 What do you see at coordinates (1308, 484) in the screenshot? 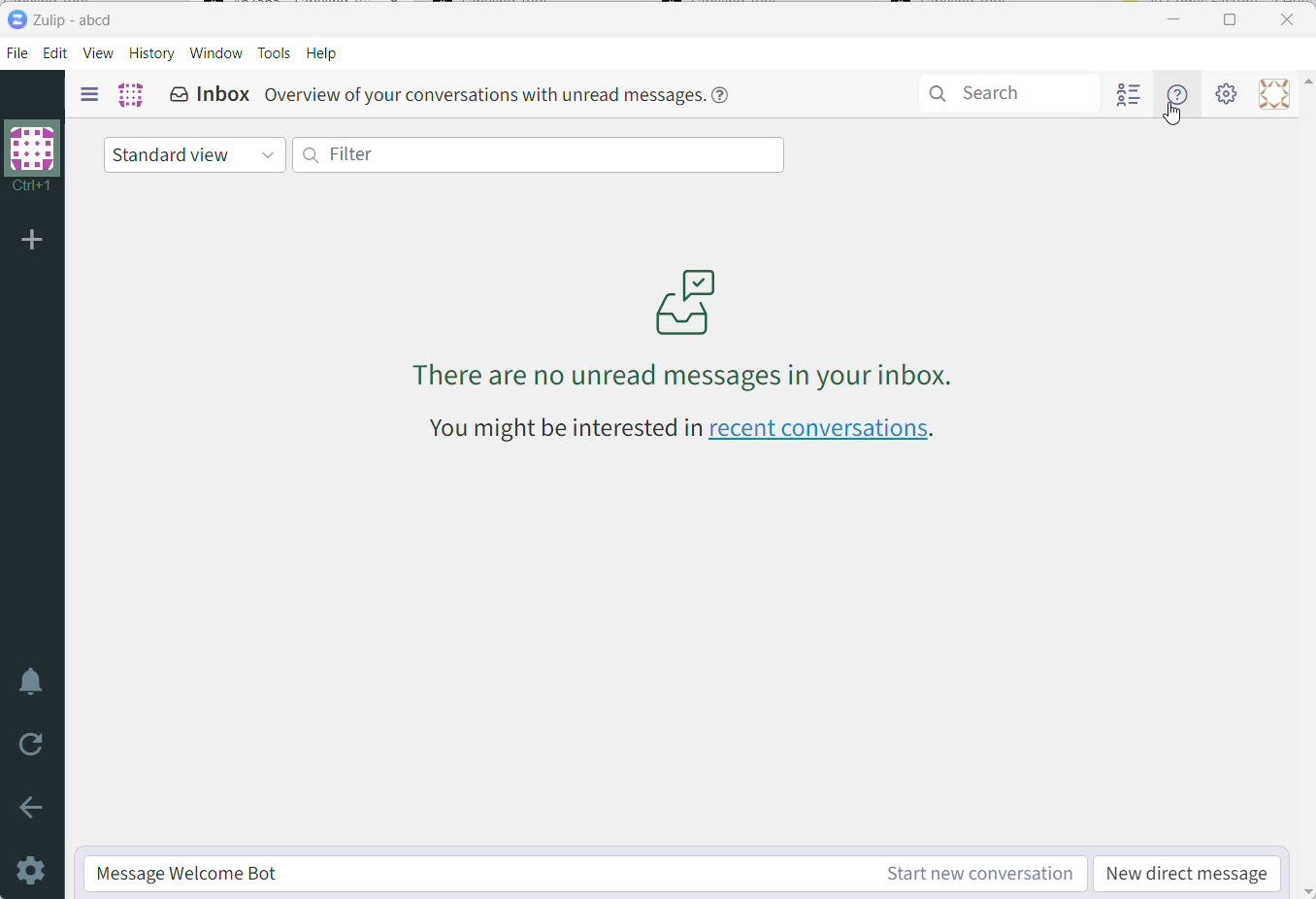
I see `Vertical Scroll Bar` at bounding box center [1308, 484].